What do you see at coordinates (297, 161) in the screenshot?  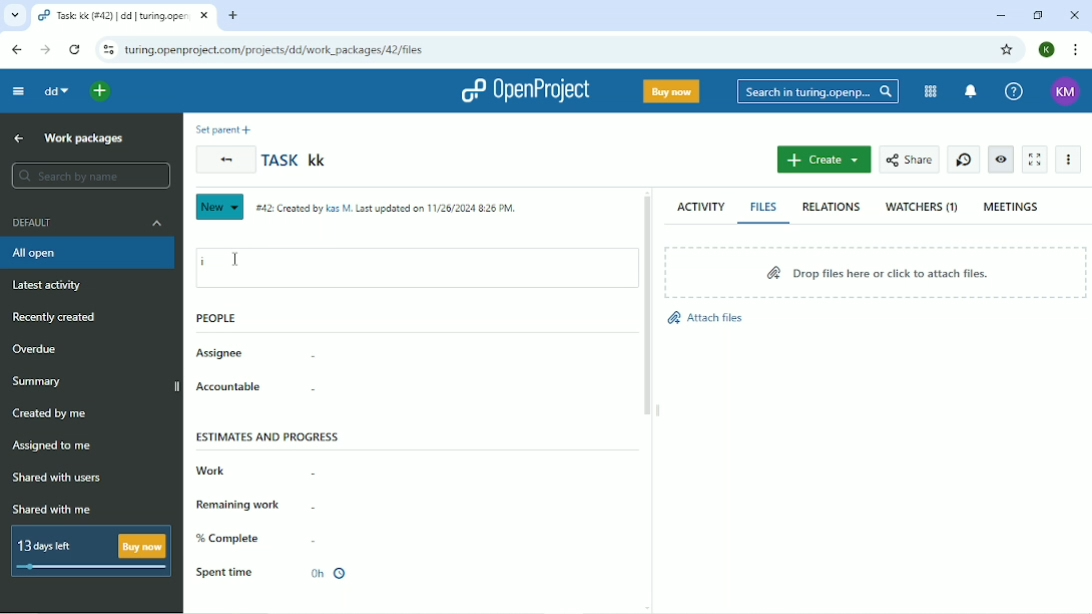 I see `Task kk` at bounding box center [297, 161].